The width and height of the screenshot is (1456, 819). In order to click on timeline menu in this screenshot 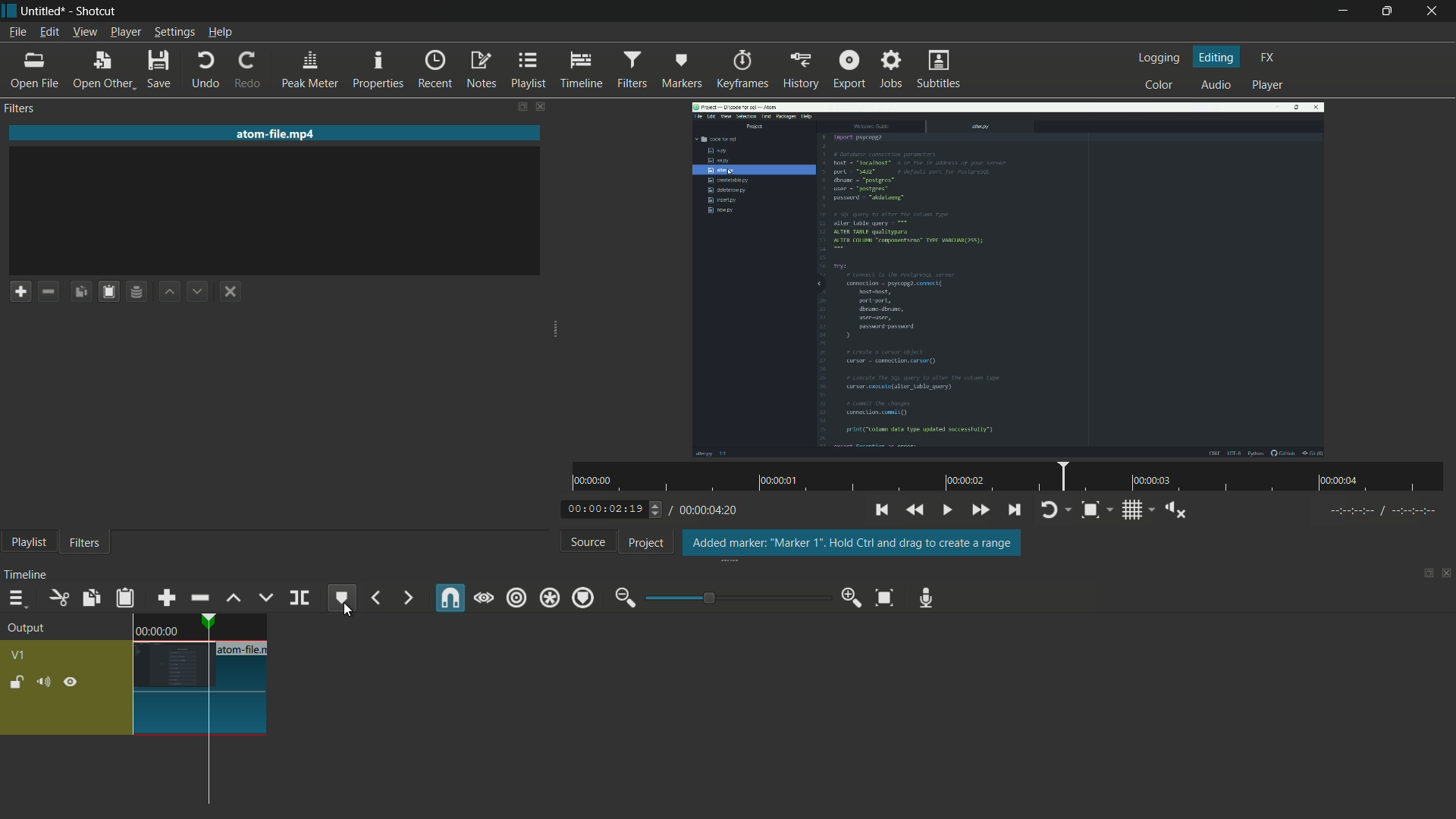, I will do `click(16, 599)`.